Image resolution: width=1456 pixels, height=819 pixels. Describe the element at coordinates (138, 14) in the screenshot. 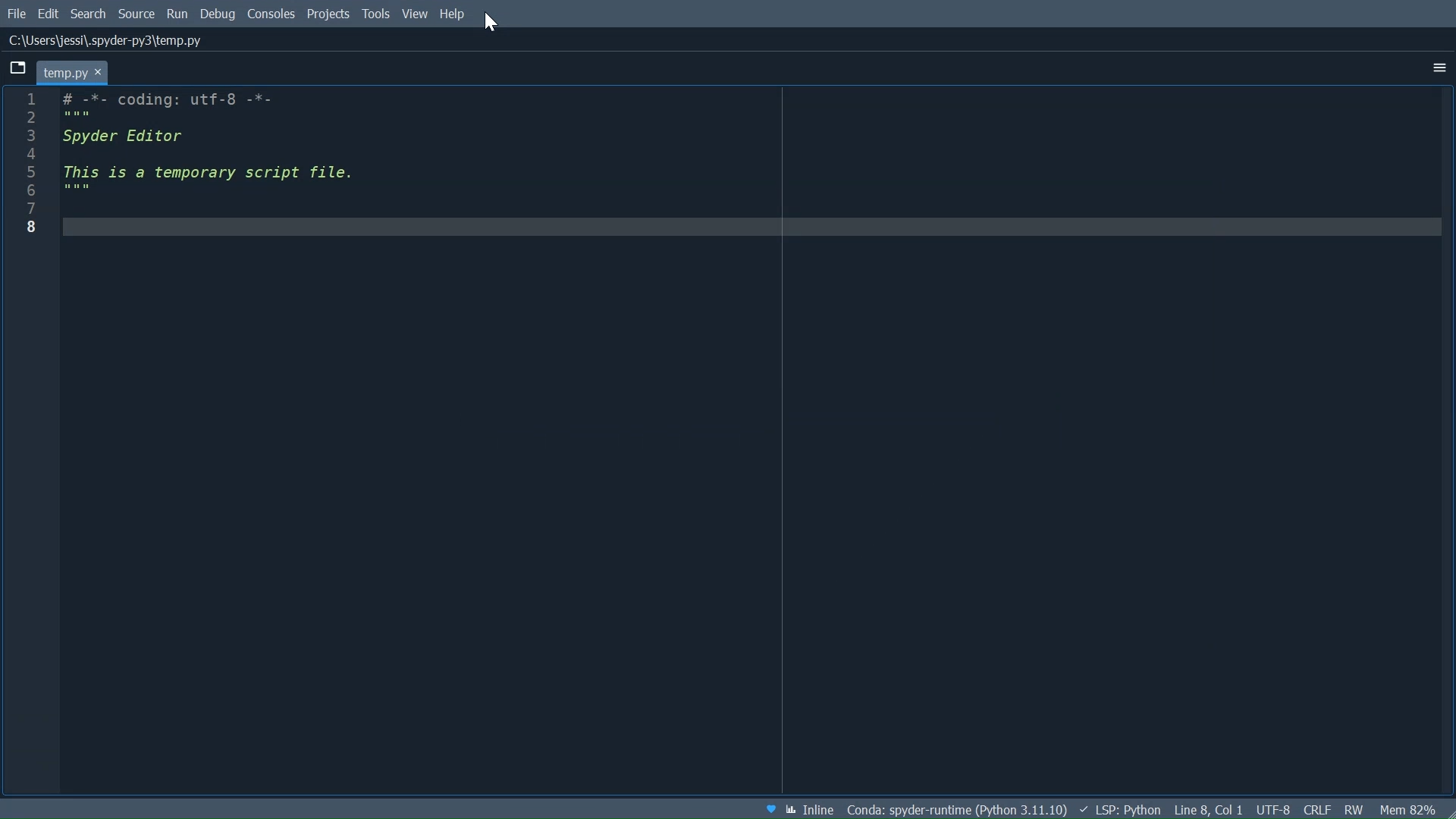

I see `Source` at that location.